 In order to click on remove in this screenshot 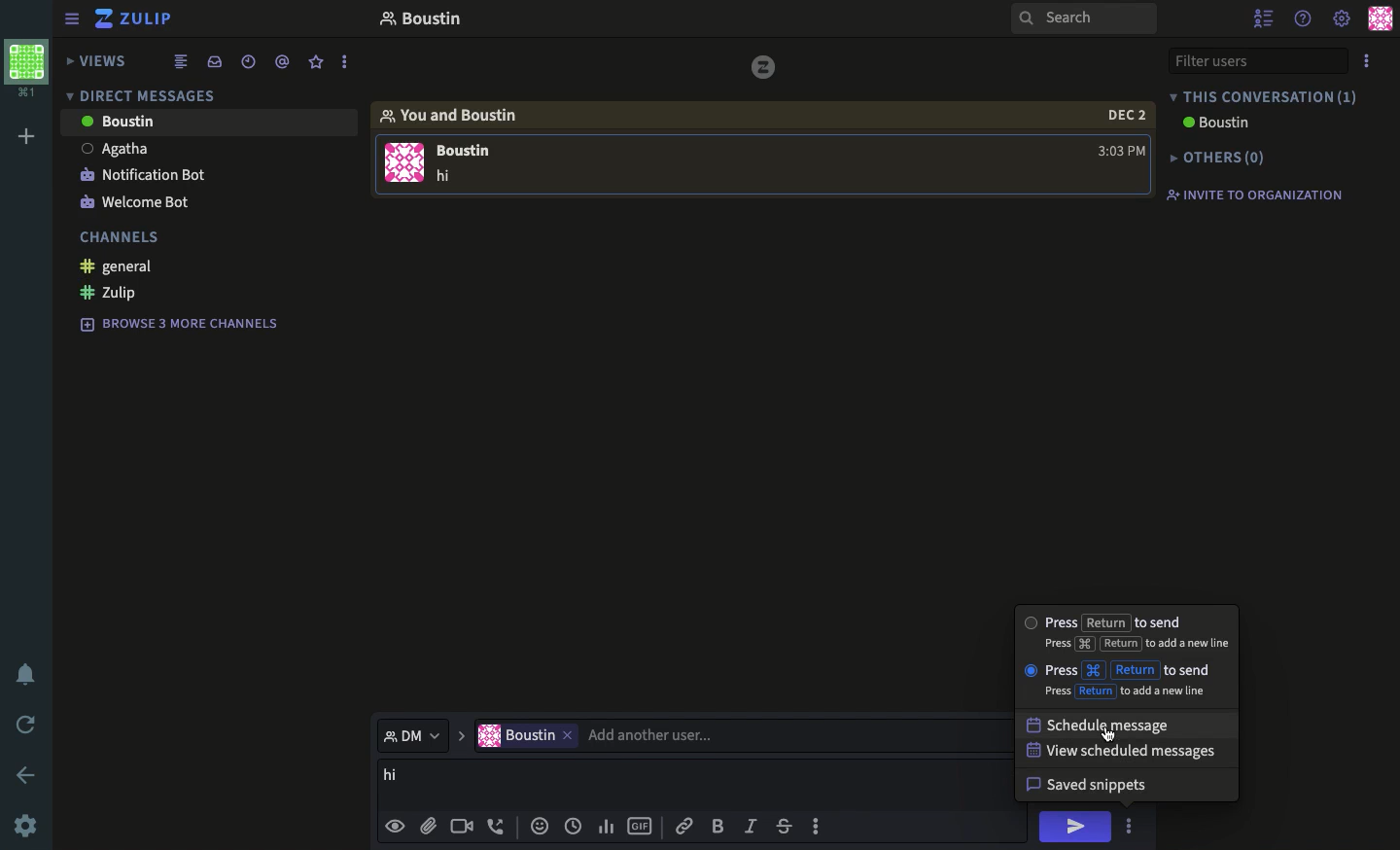, I will do `click(571, 738)`.